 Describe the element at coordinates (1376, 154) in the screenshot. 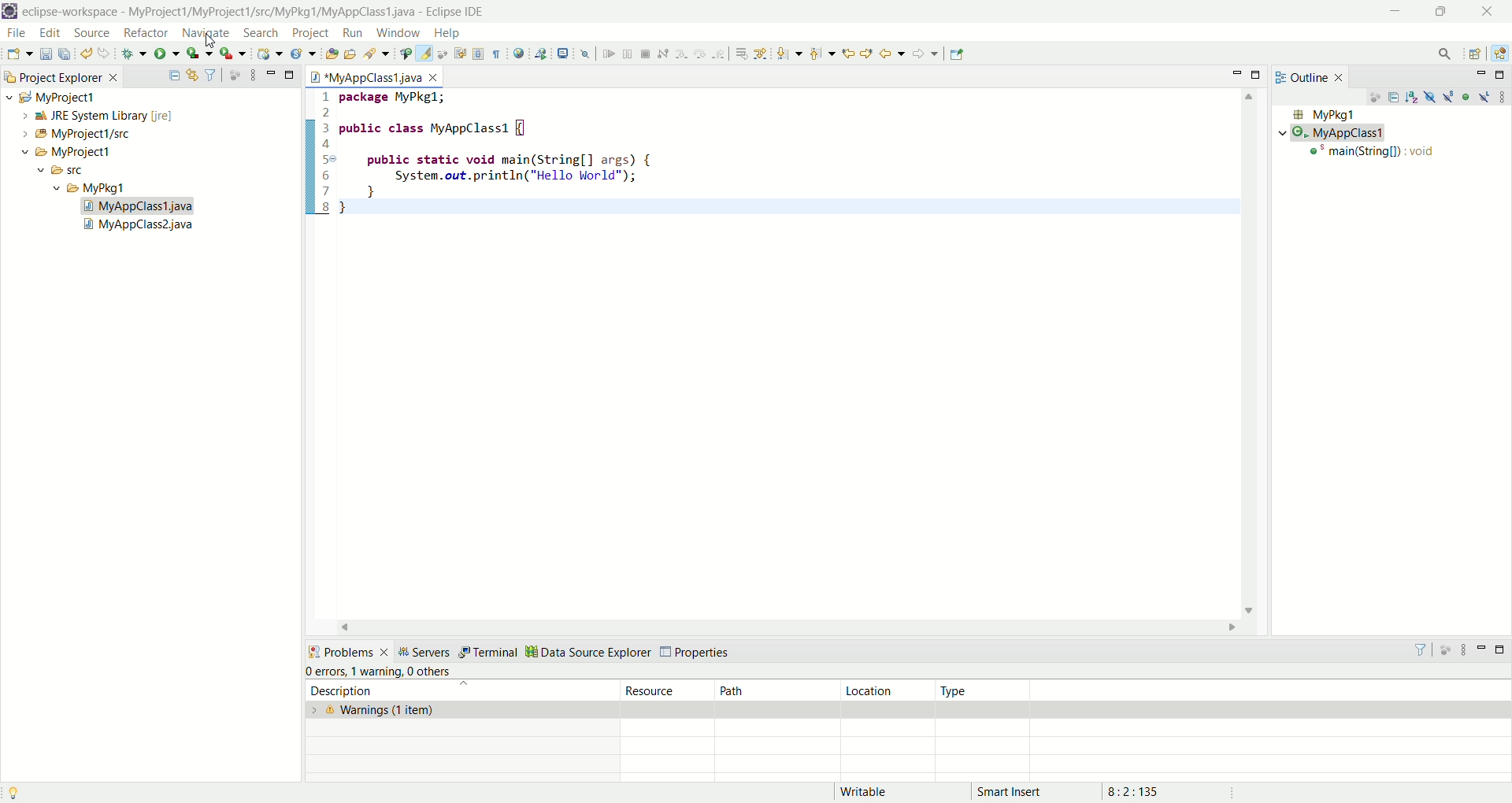

I see `main string` at that location.